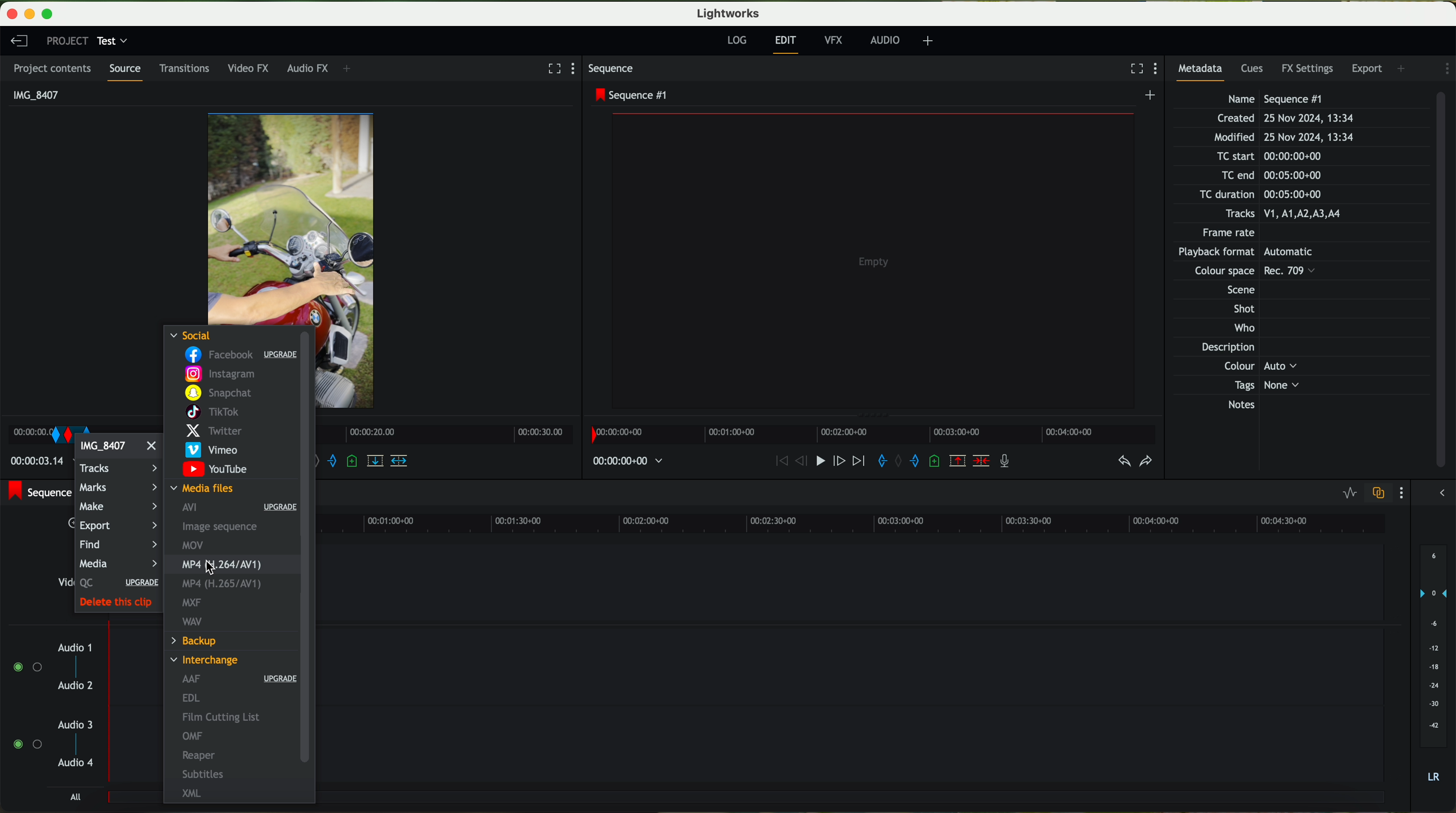 Image resolution: width=1456 pixels, height=813 pixels. What do you see at coordinates (218, 527) in the screenshot?
I see `image sequence` at bounding box center [218, 527].